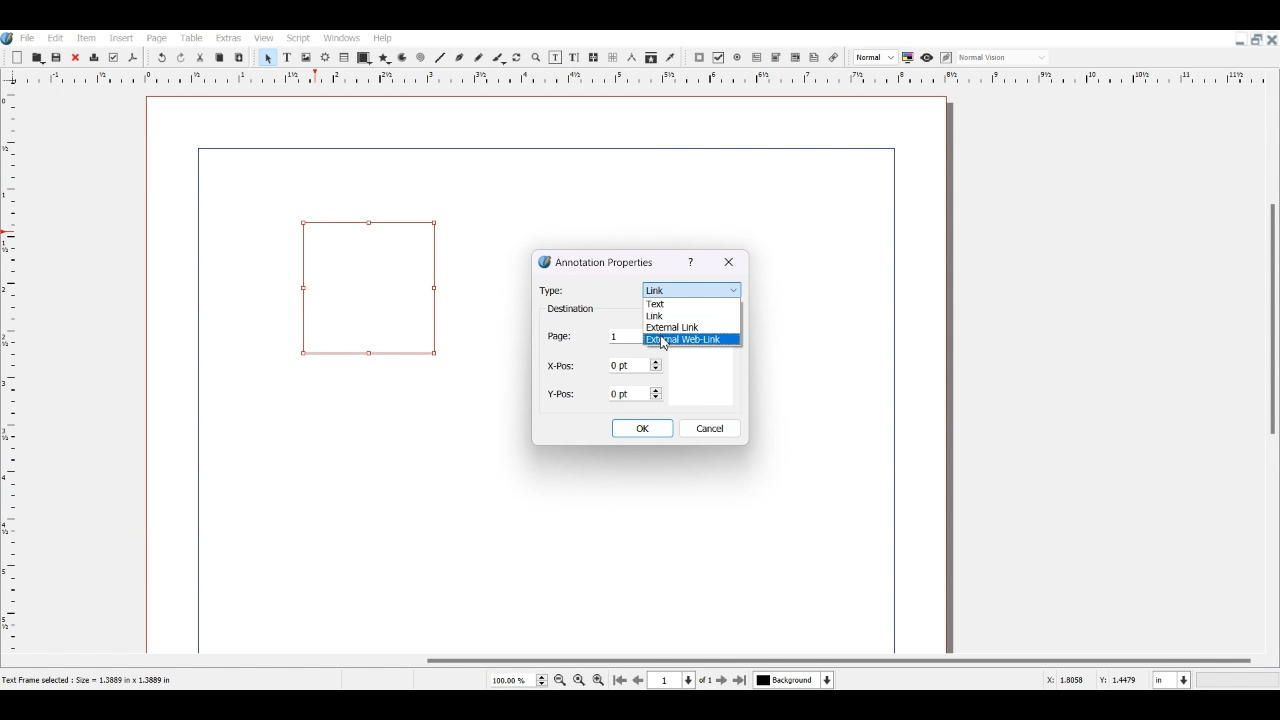  What do you see at coordinates (728, 262) in the screenshot?
I see `Close` at bounding box center [728, 262].